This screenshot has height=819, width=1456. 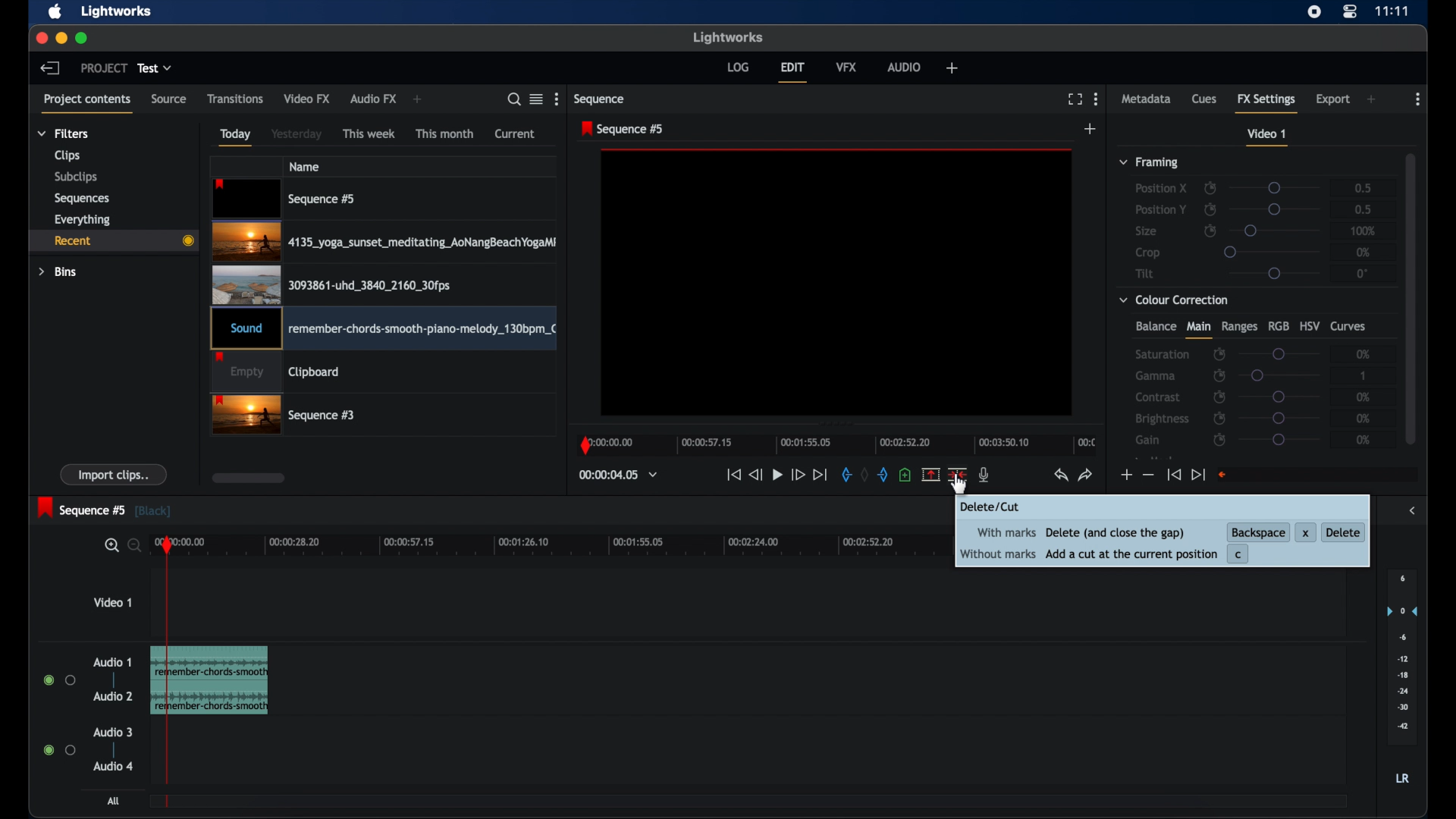 What do you see at coordinates (1363, 252) in the screenshot?
I see `0%` at bounding box center [1363, 252].